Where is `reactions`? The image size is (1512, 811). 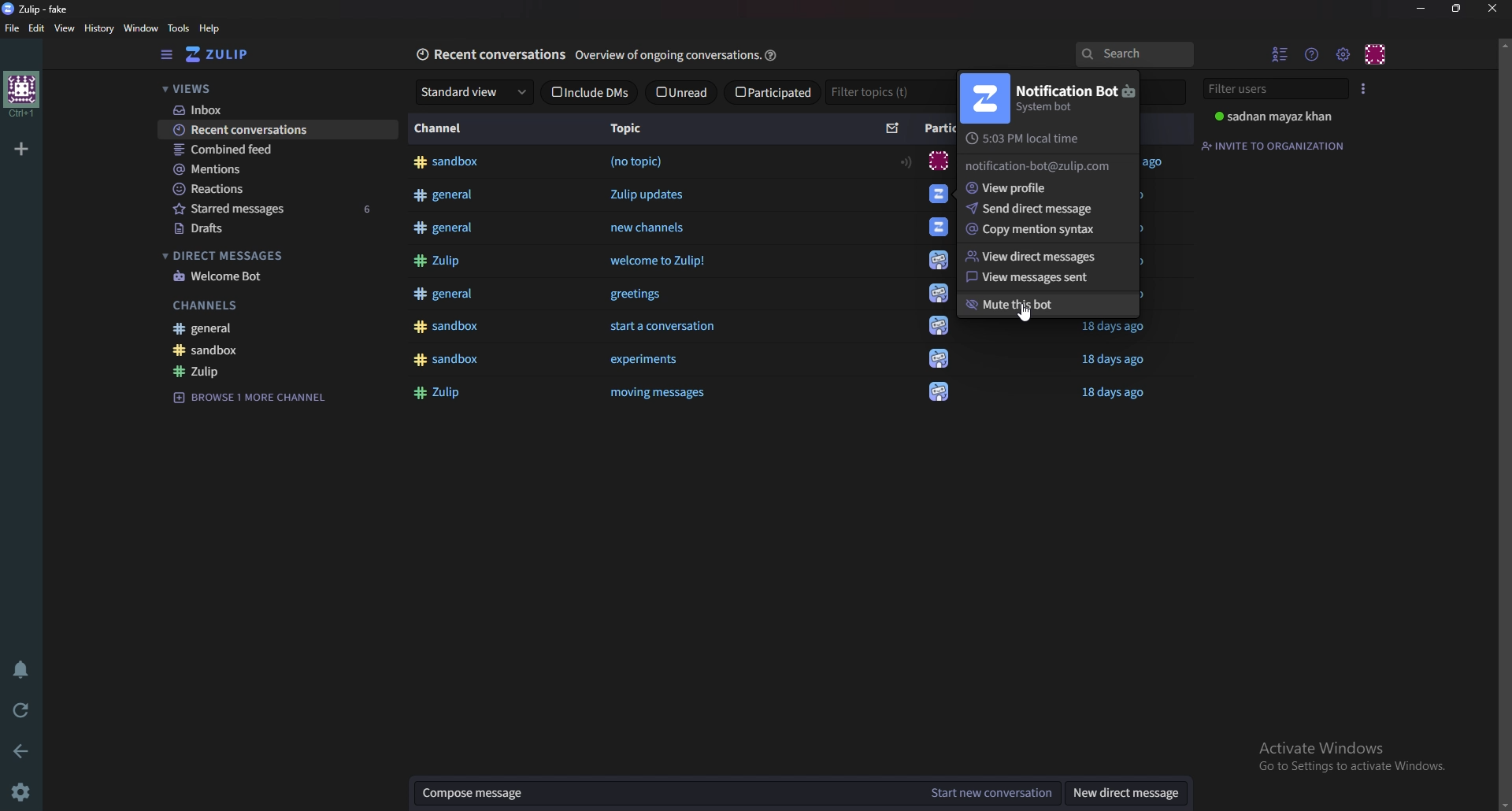 reactions is located at coordinates (264, 188).